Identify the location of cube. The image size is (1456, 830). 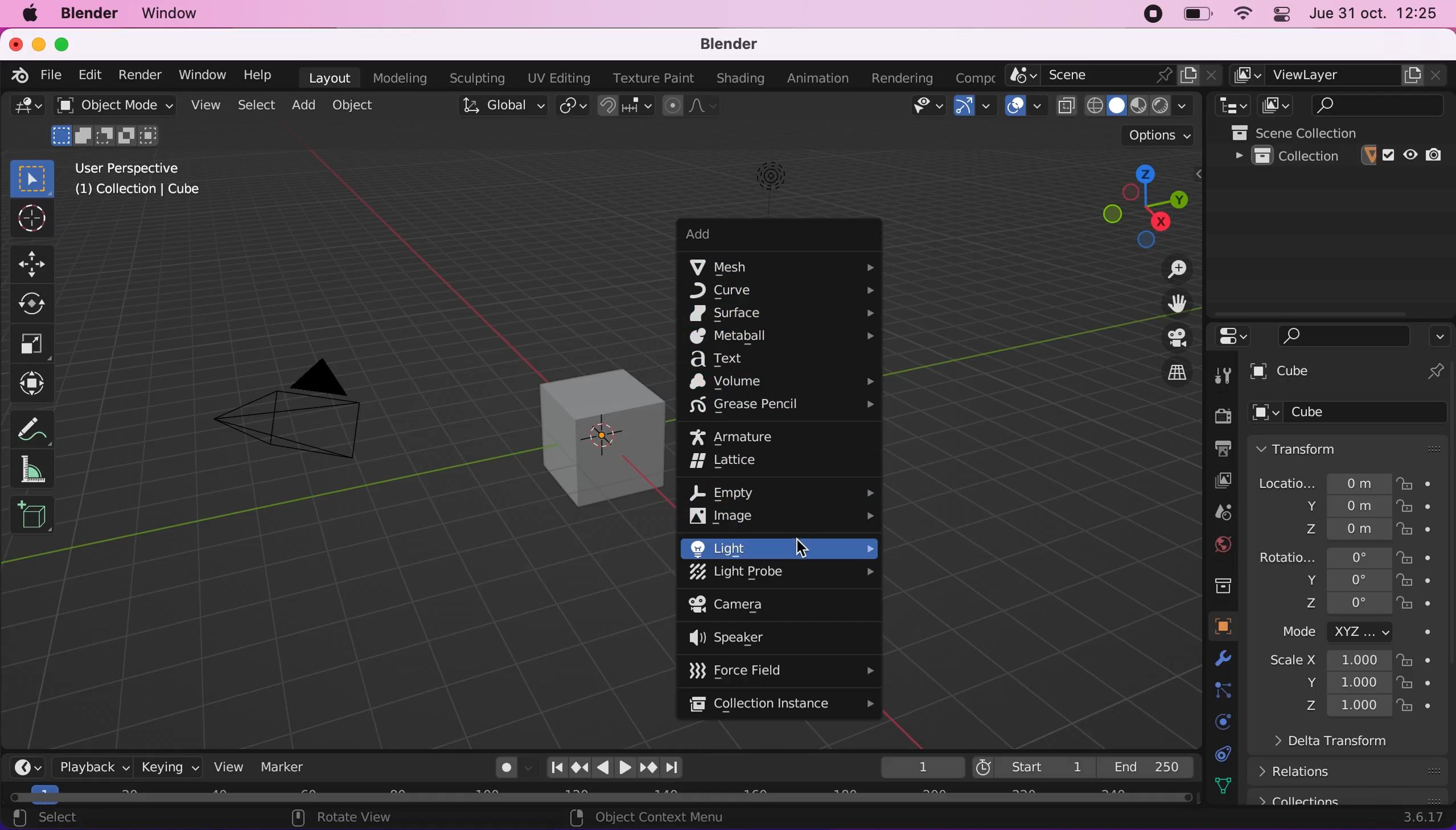
(574, 424).